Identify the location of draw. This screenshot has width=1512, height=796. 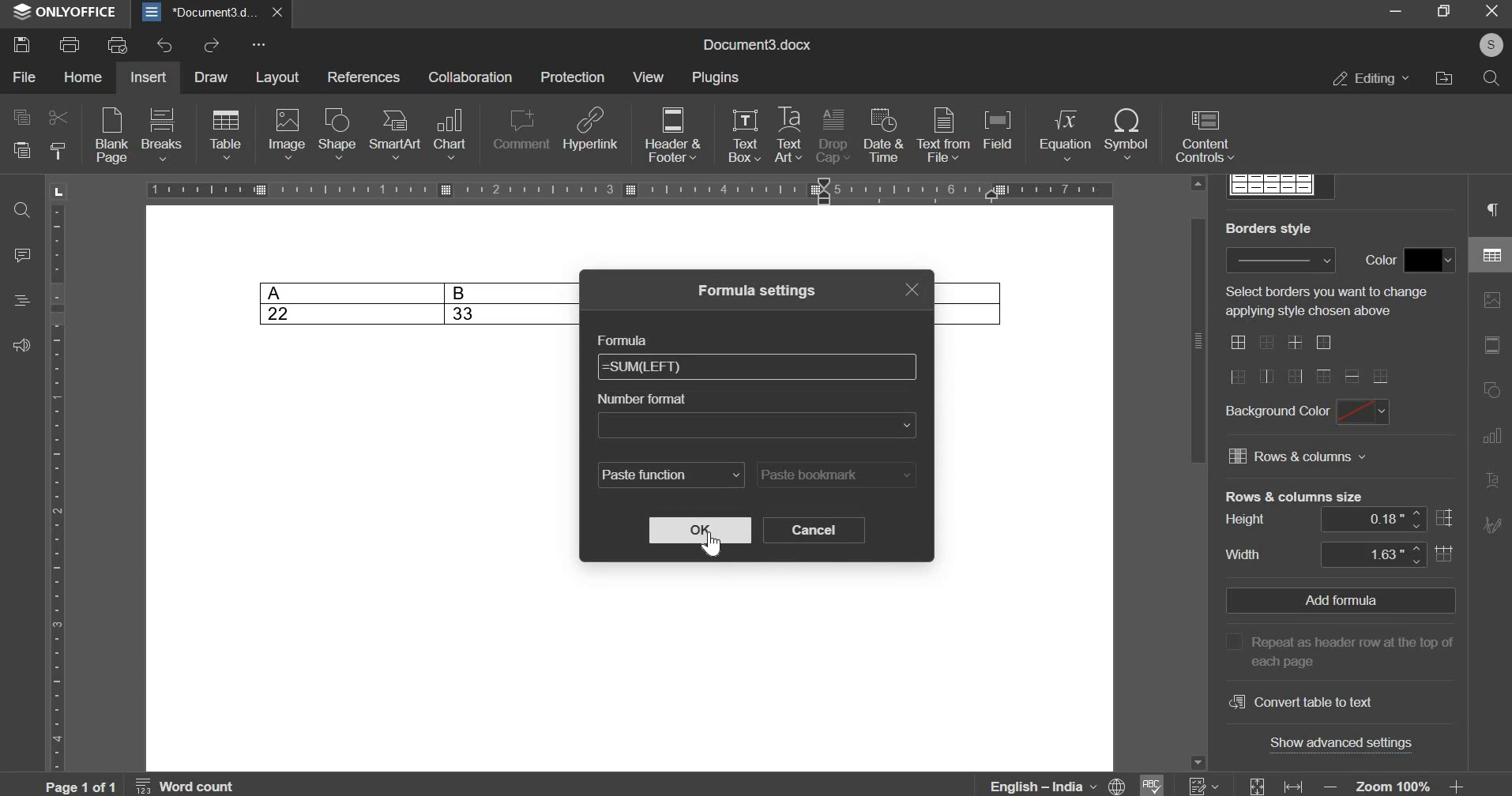
(212, 77).